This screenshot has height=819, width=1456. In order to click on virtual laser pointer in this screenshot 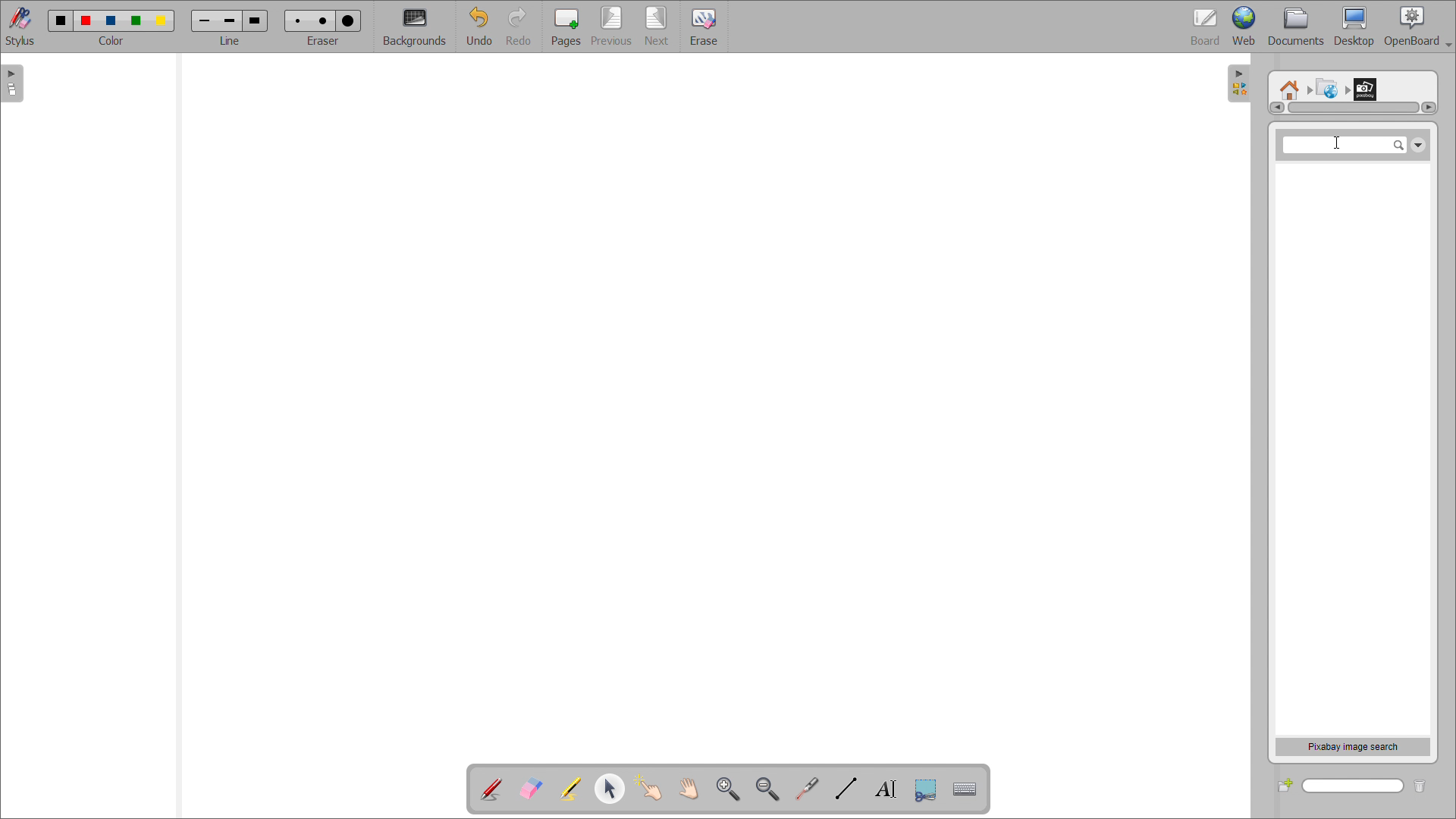, I will do `click(807, 789)`.